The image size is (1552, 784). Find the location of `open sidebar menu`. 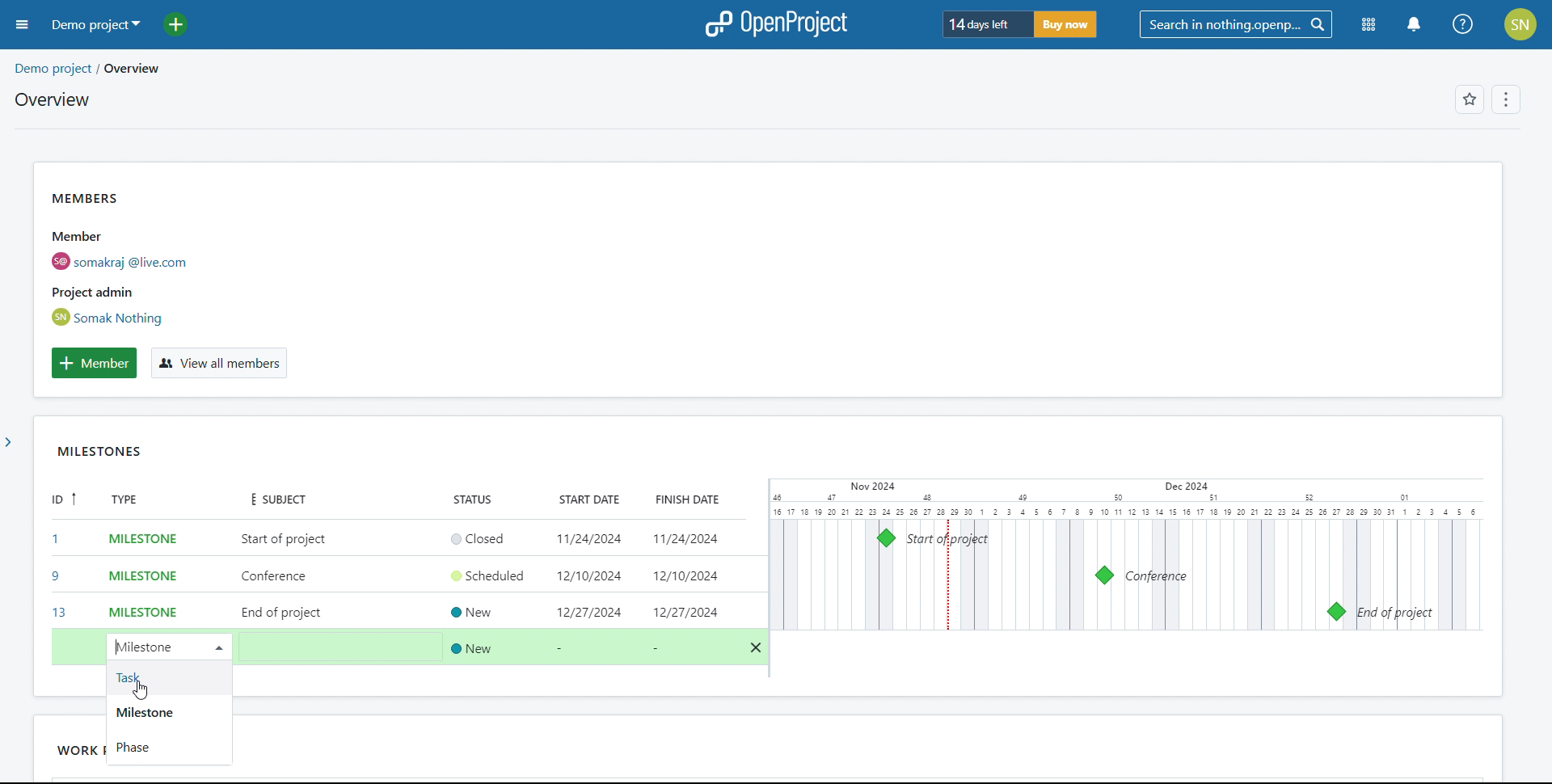

open sidebar menu is located at coordinates (23, 25).